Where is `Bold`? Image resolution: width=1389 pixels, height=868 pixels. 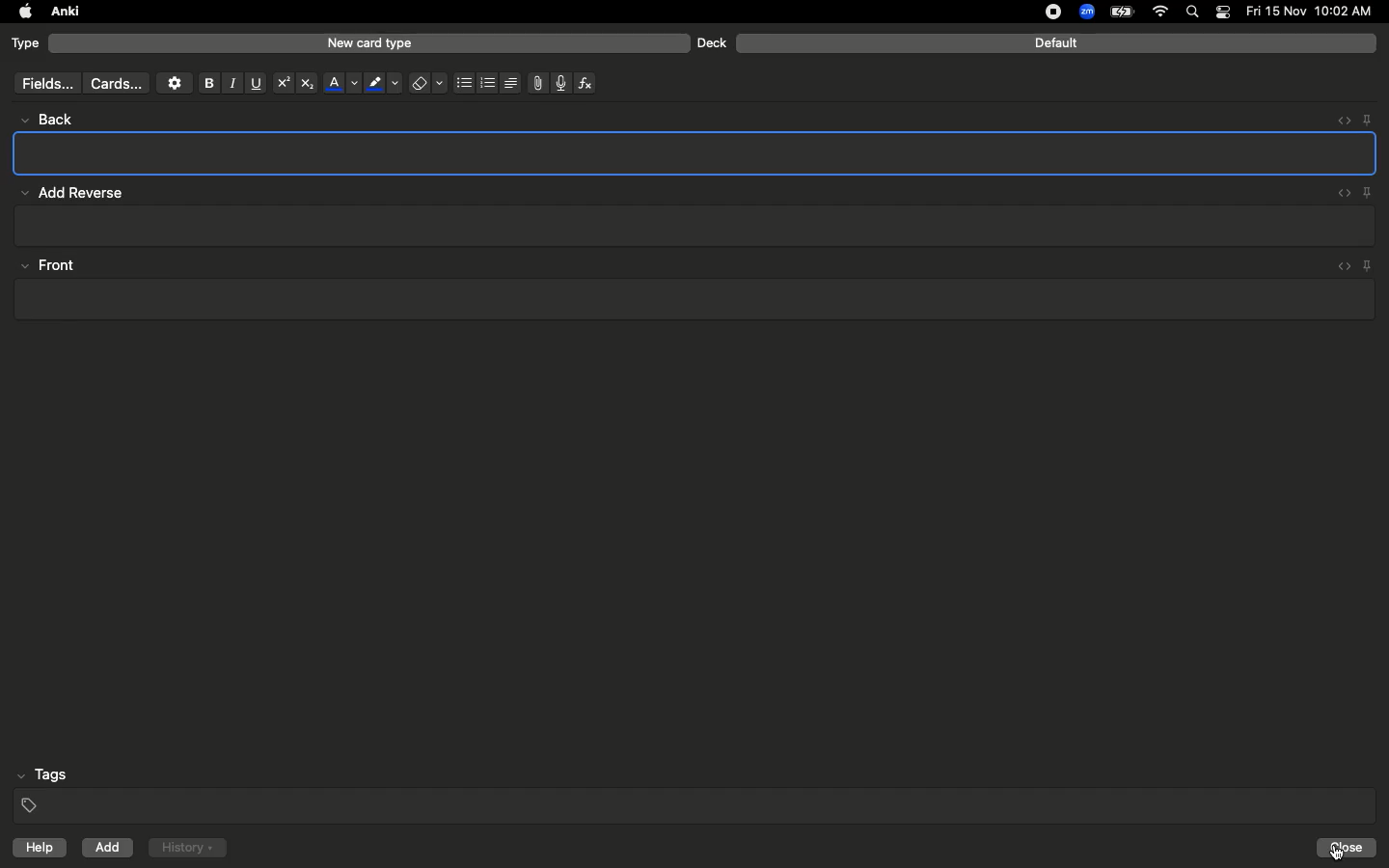 Bold is located at coordinates (207, 82).